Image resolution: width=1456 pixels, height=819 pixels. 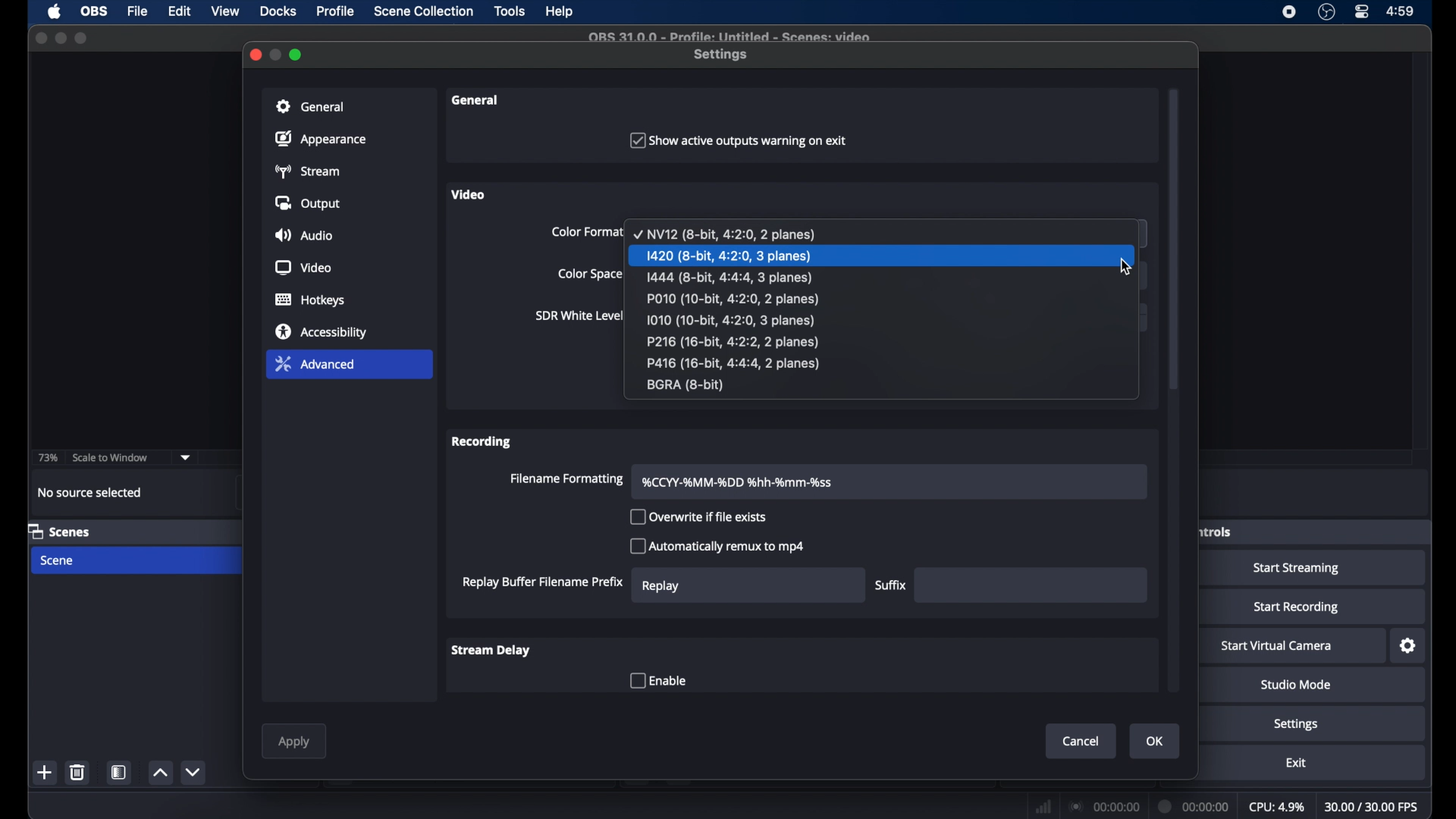 What do you see at coordinates (591, 275) in the screenshot?
I see `color space ` at bounding box center [591, 275].